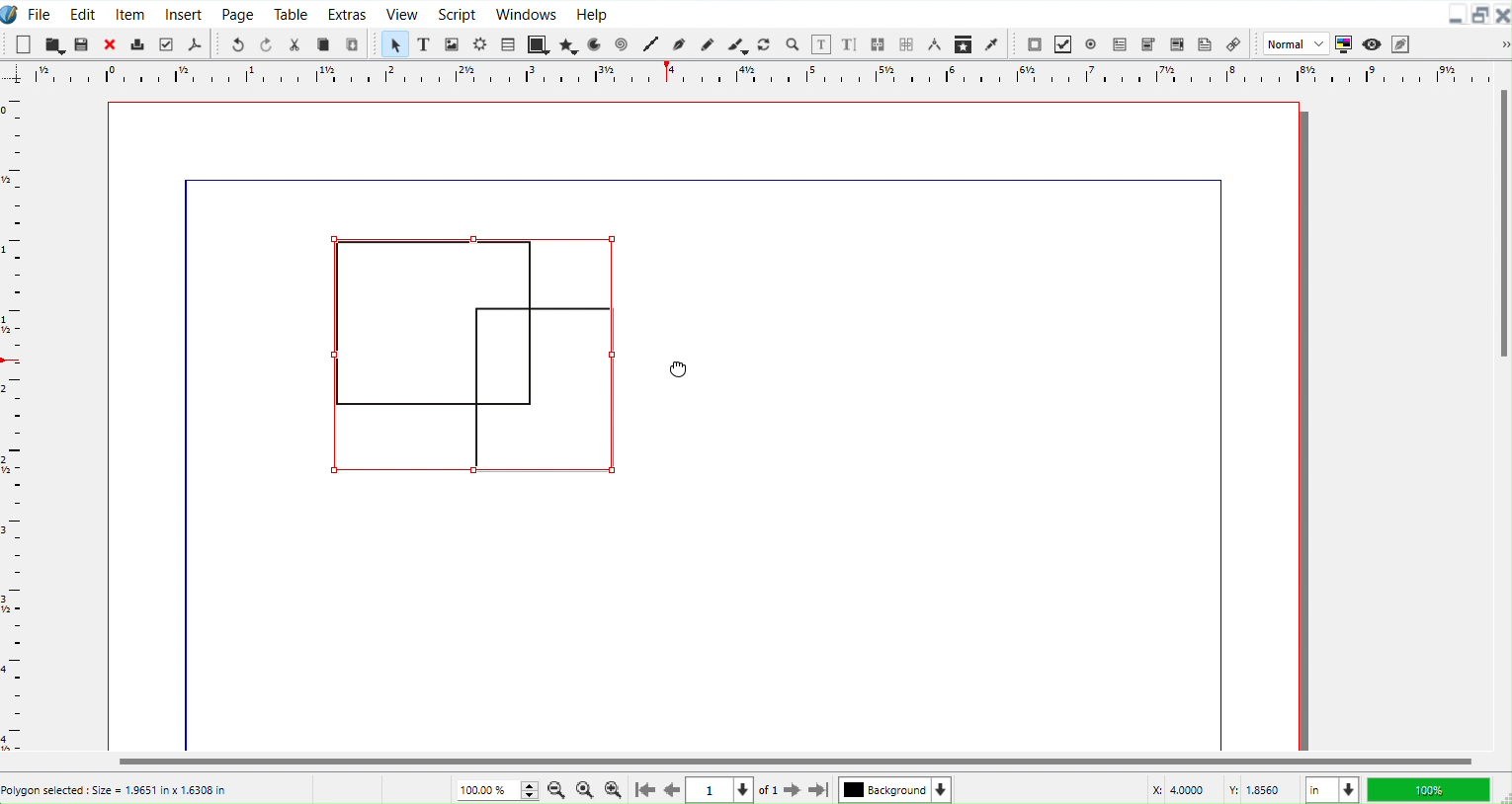  What do you see at coordinates (765, 44) in the screenshot?
I see `Rotate Item` at bounding box center [765, 44].